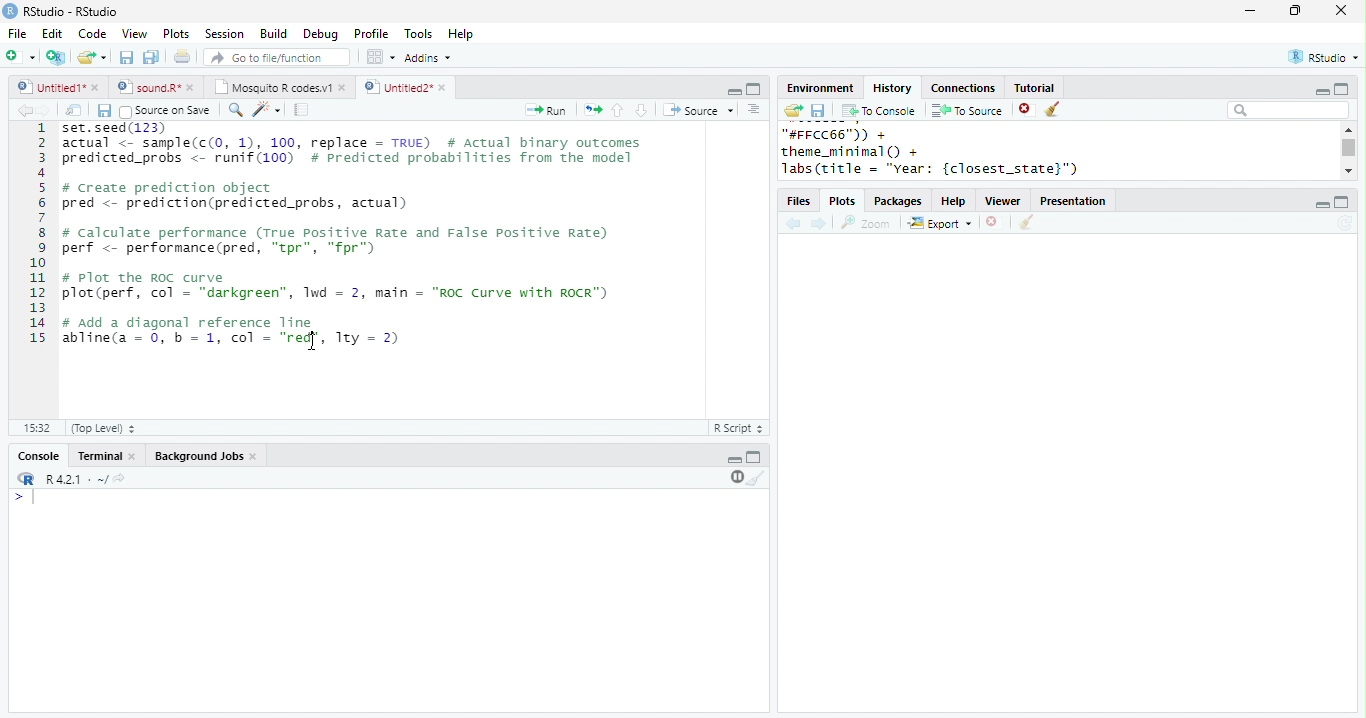 This screenshot has width=1366, height=718. I want to click on # Plot the ROC curveplot(perf, col - "darkgreen”, 1wd = 2, main = "ROC Curve with ROCR"), so click(338, 287).